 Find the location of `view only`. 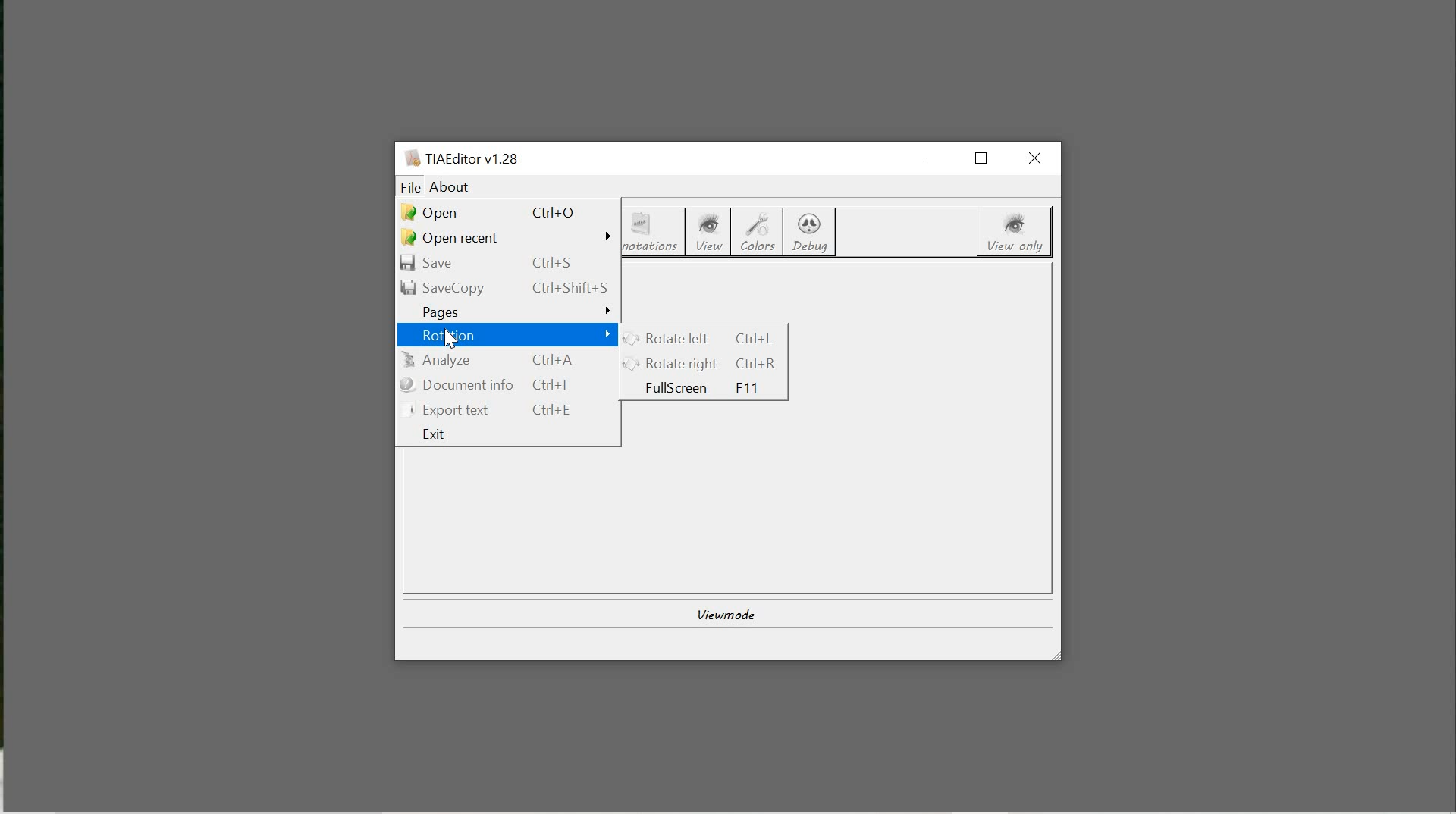

view only is located at coordinates (1015, 233).